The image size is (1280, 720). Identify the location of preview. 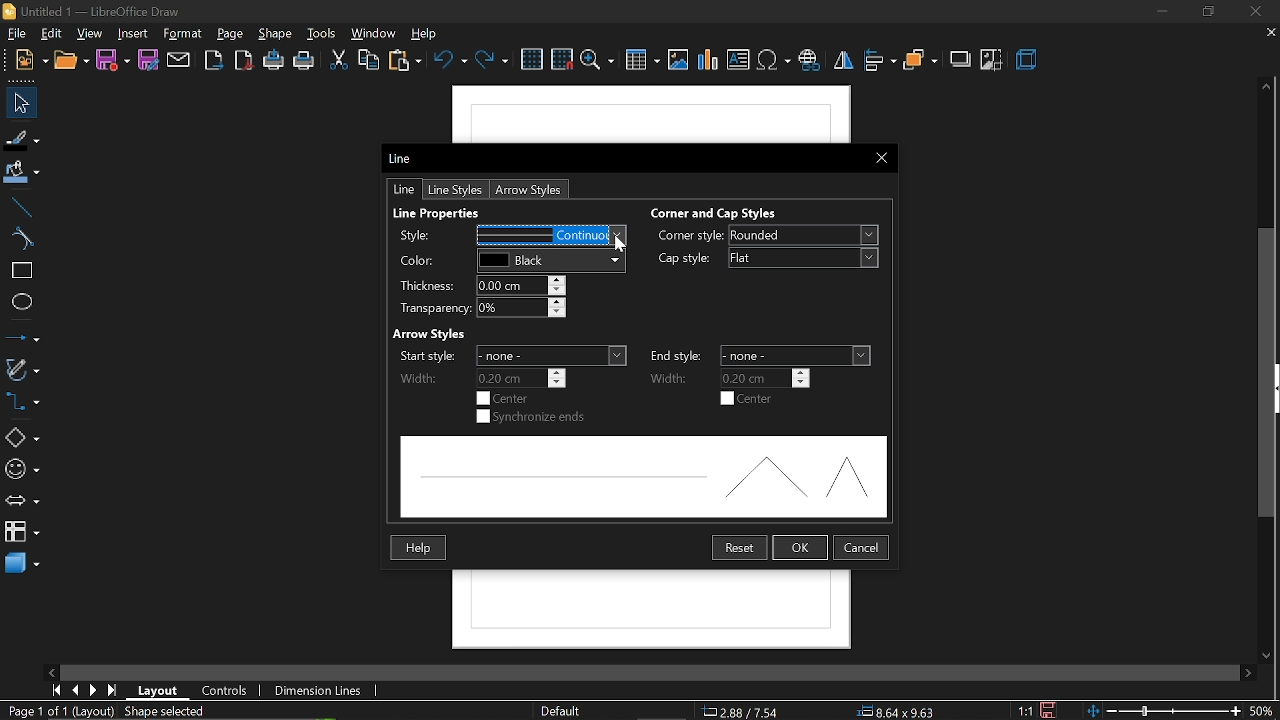
(646, 478).